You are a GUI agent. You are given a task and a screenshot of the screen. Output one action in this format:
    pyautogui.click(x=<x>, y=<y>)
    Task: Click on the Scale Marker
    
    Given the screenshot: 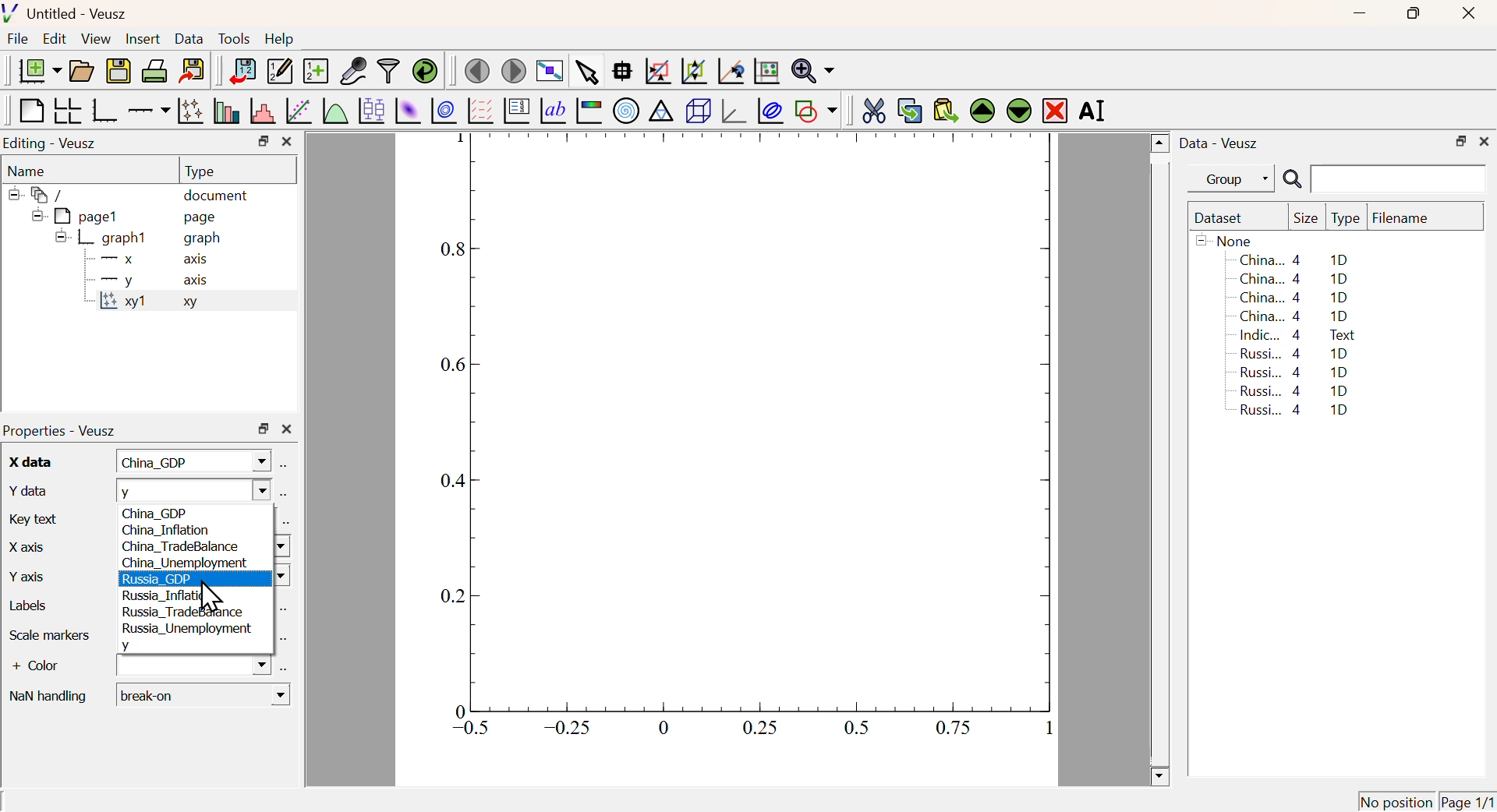 What is the action you would take?
    pyautogui.click(x=50, y=634)
    